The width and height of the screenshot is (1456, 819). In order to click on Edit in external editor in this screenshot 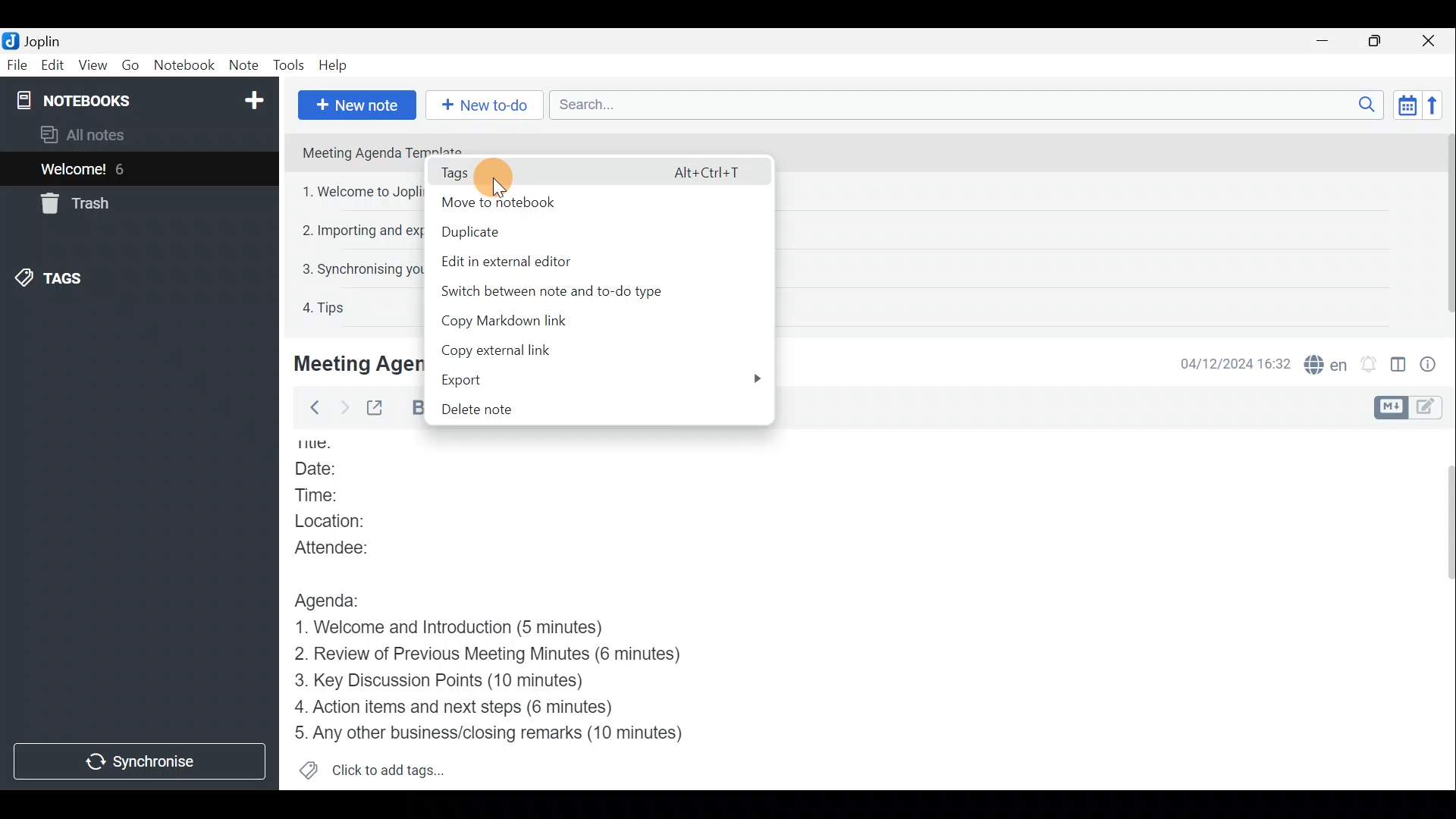, I will do `click(527, 259)`.